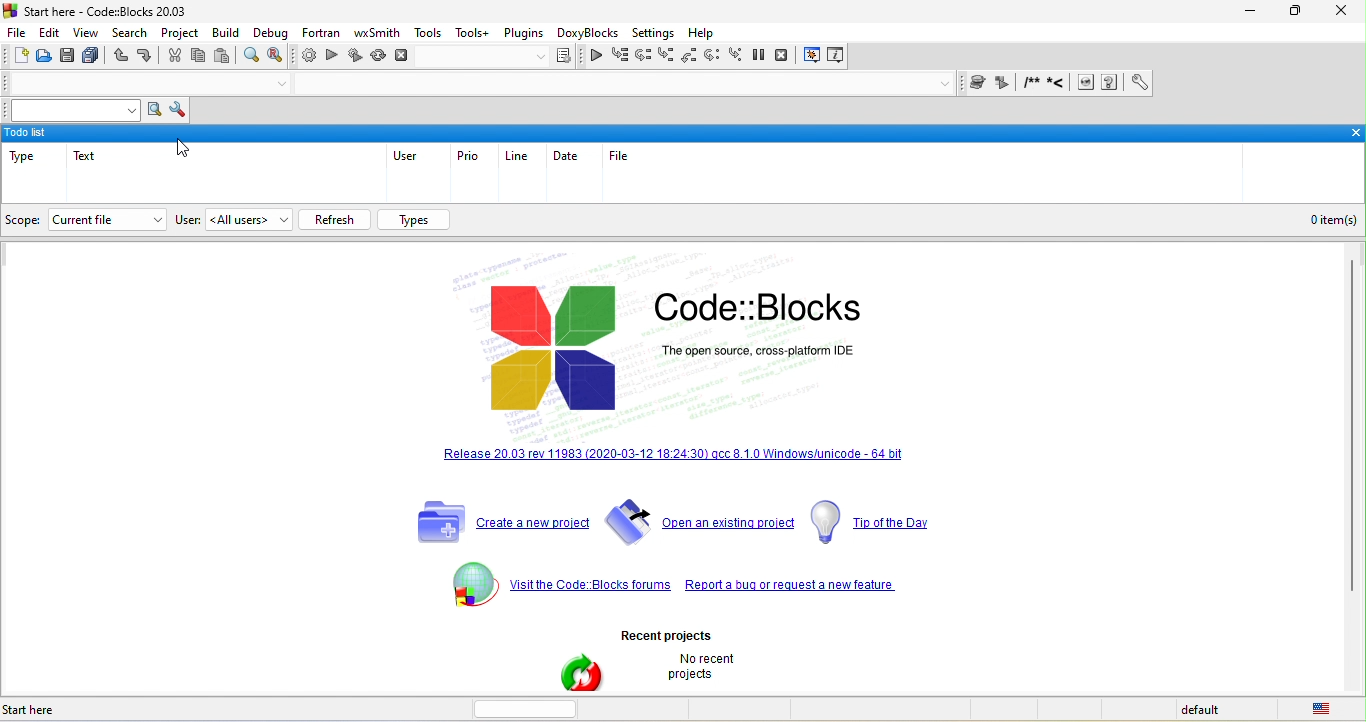  Describe the element at coordinates (253, 57) in the screenshot. I see `find` at that location.